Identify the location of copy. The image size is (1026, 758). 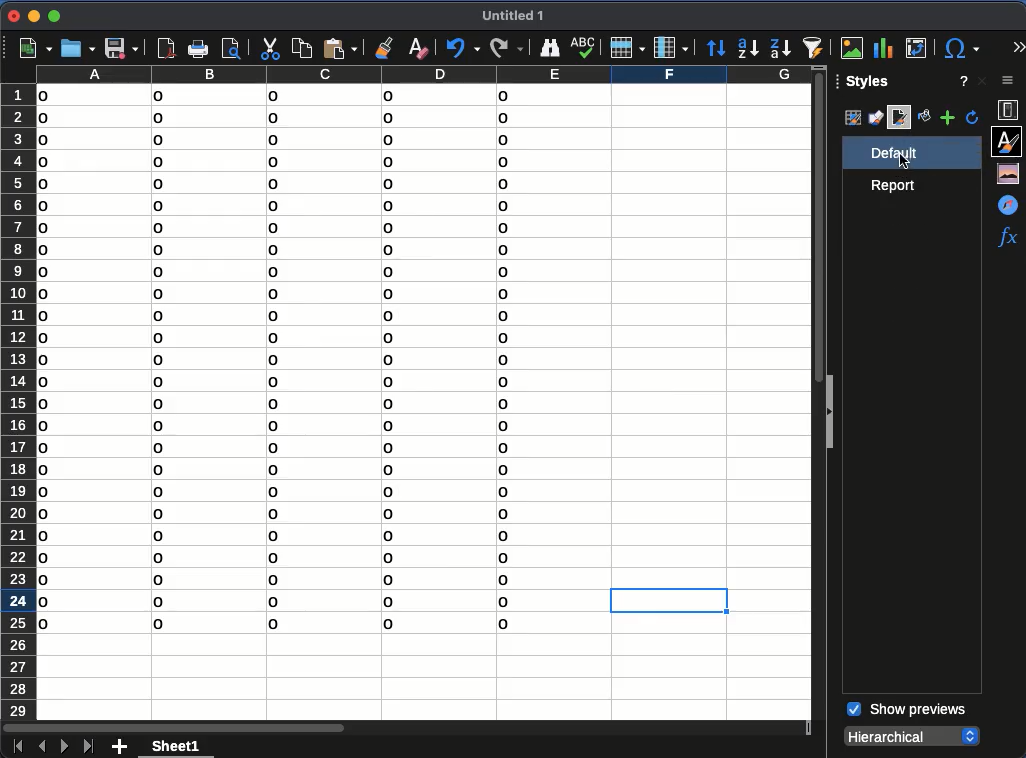
(301, 46).